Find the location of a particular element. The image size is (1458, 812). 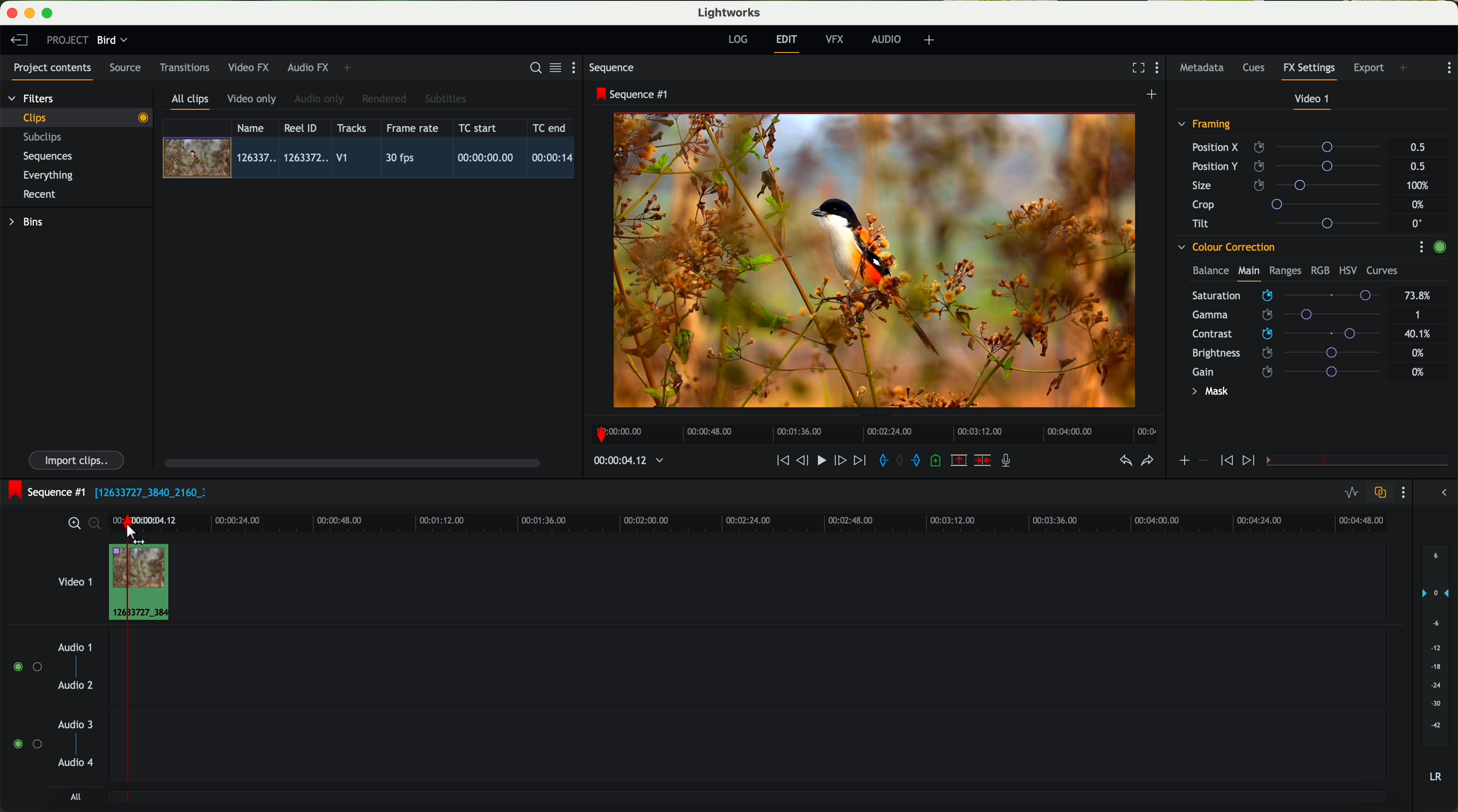

sequence #1 is located at coordinates (633, 94).